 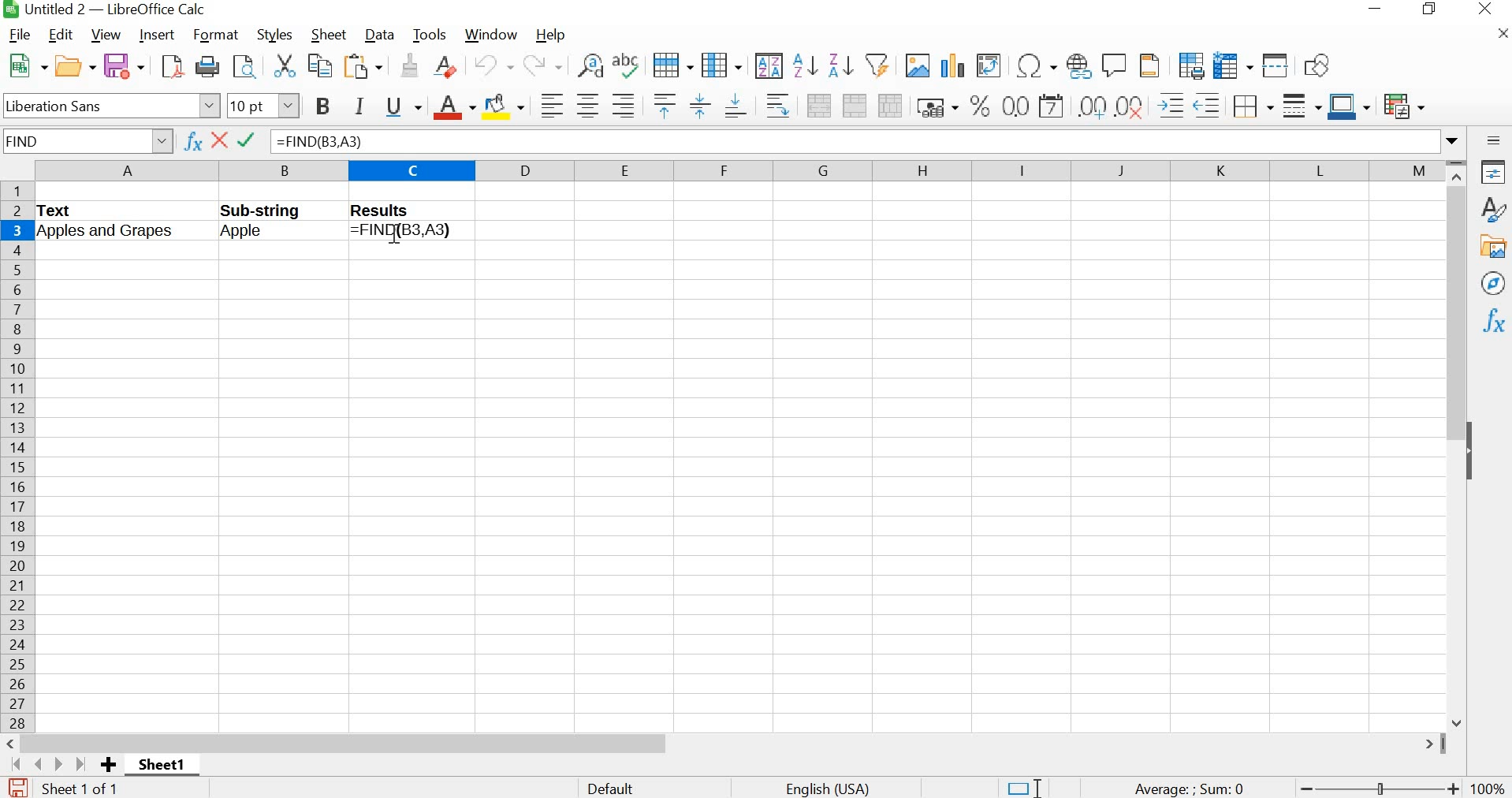 What do you see at coordinates (169, 66) in the screenshot?
I see `save as pdf` at bounding box center [169, 66].